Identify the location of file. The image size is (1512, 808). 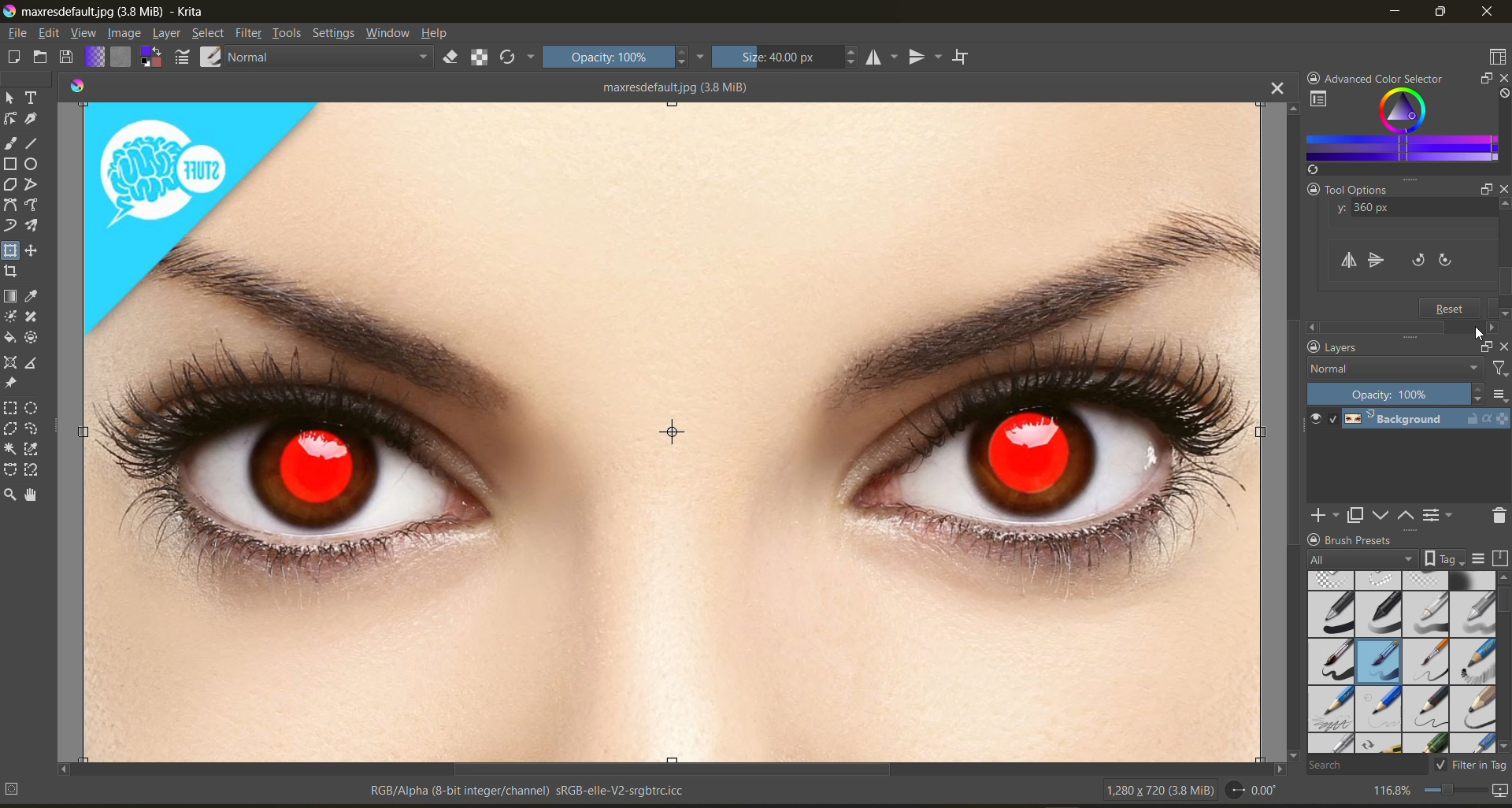
(20, 33).